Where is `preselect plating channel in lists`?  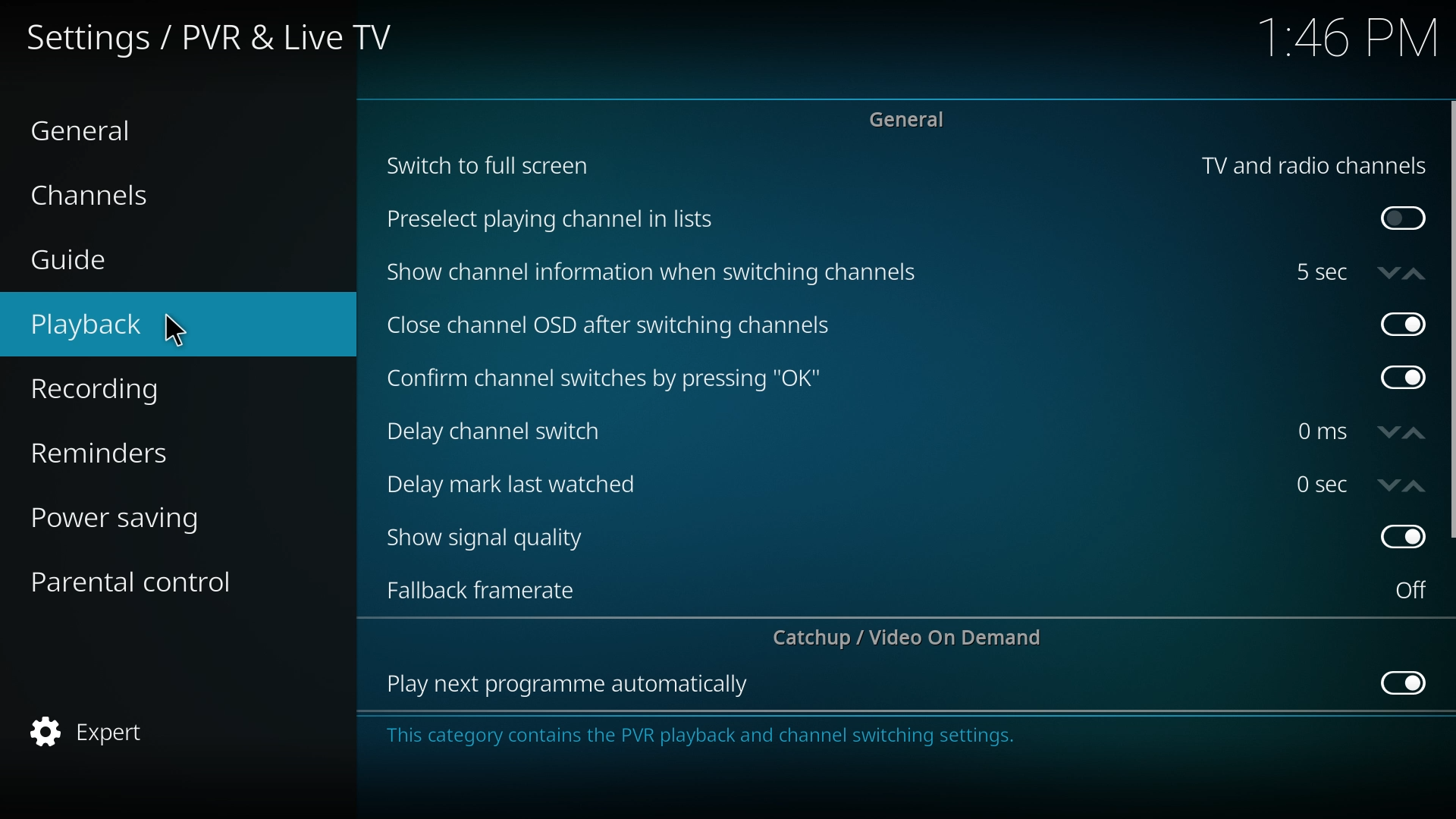 preselect plating channel in lists is located at coordinates (556, 221).